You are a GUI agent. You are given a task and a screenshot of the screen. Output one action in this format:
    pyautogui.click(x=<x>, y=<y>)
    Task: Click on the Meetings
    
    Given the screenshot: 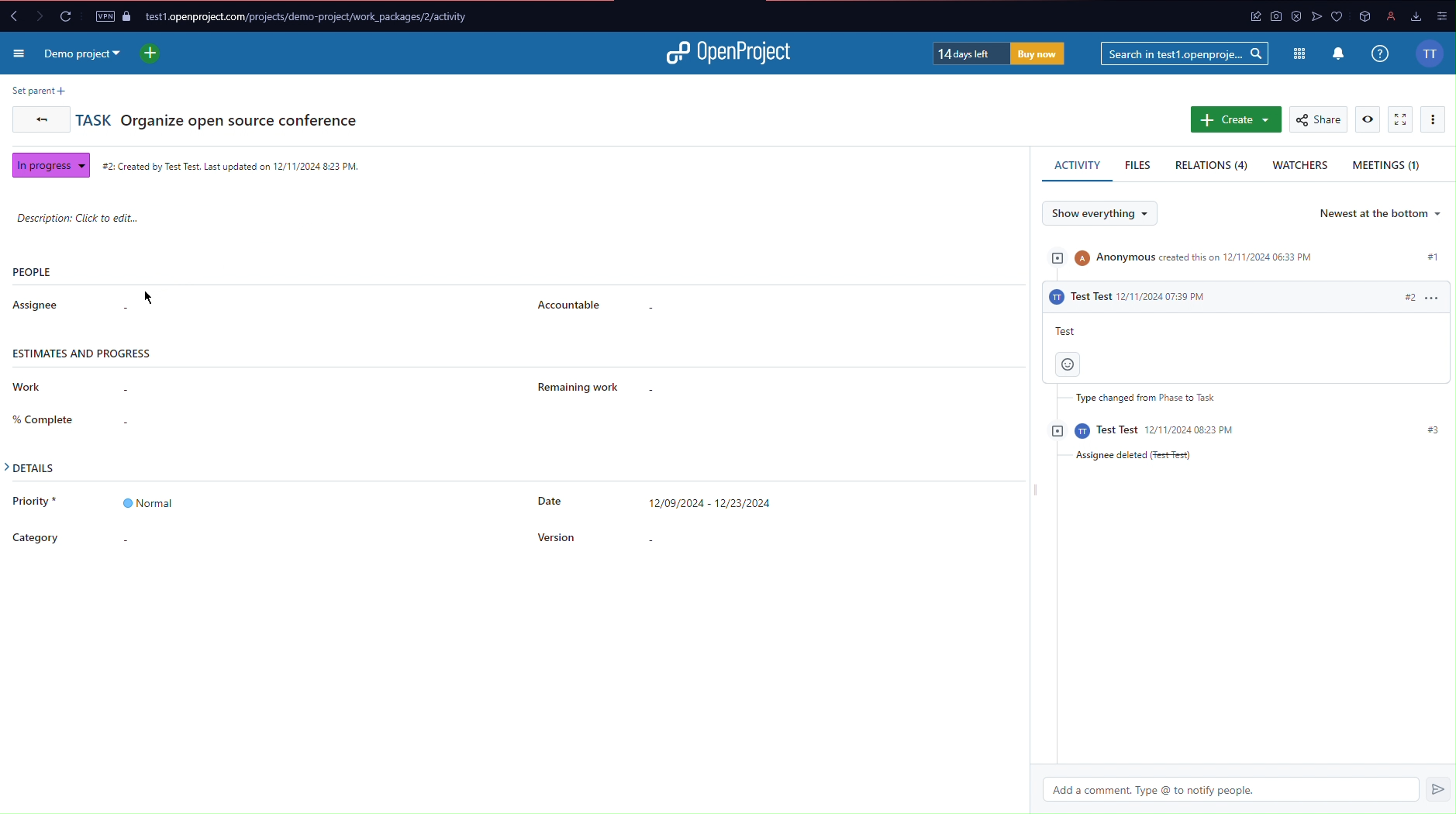 What is the action you would take?
    pyautogui.click(x=1393, y=167)
    